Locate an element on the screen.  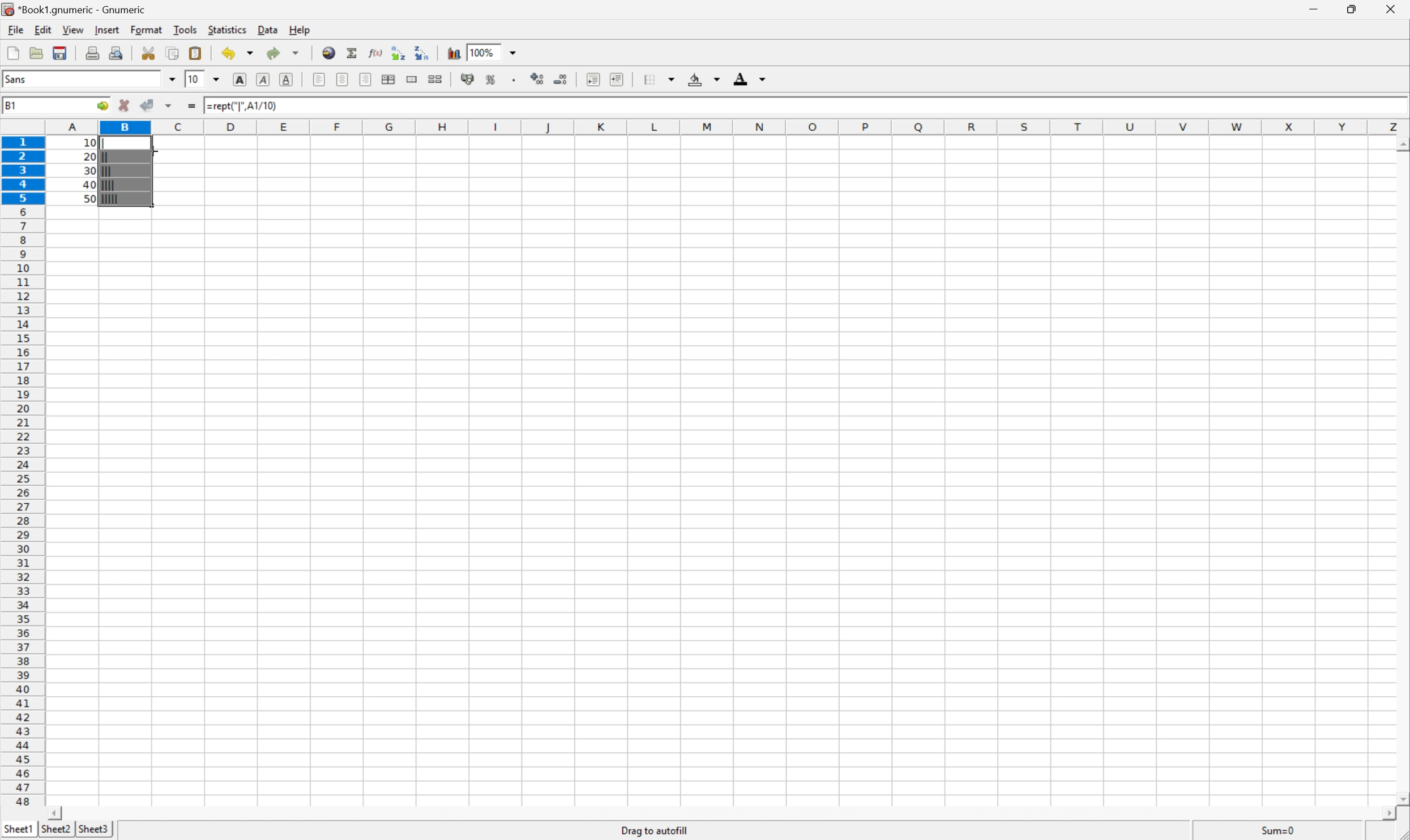
Drop Down is located at coordinates (215, 80).